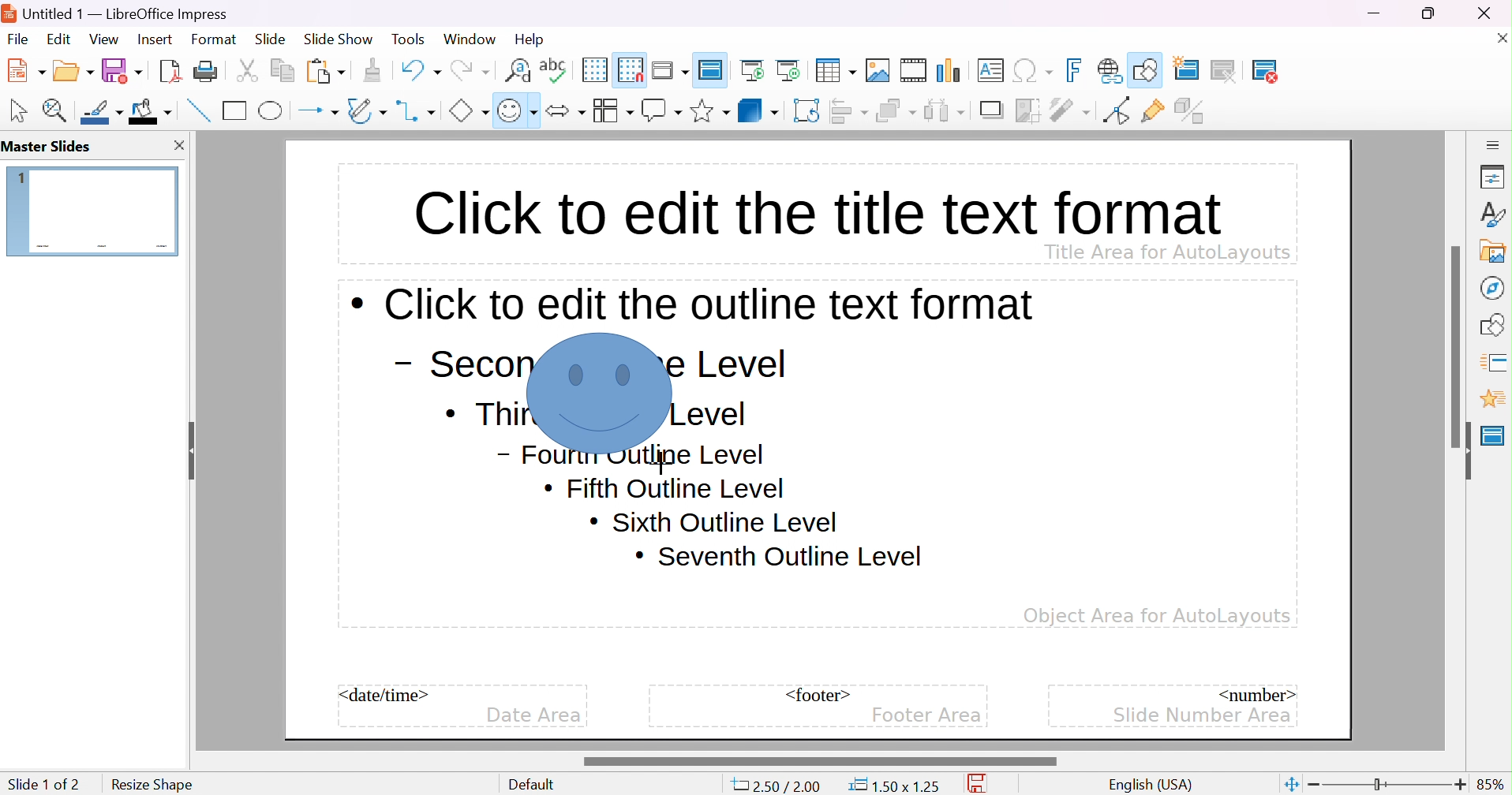 This screenshot has width=1512, height=795. I want to click on click to edit the outline text format, so click(694, 304).